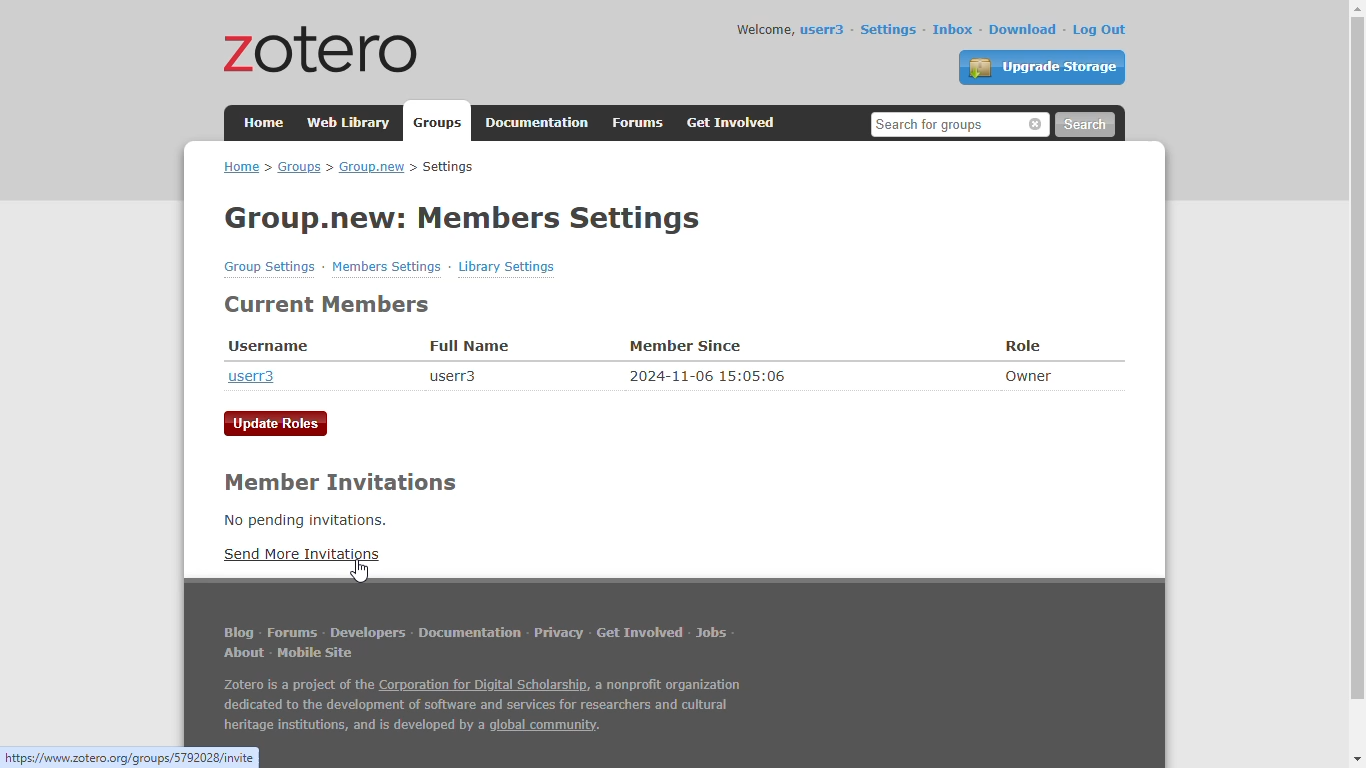  What do you see at coordinates (440, 123) in the screenshot?
I see `groups` at bounding box center [440, 123].